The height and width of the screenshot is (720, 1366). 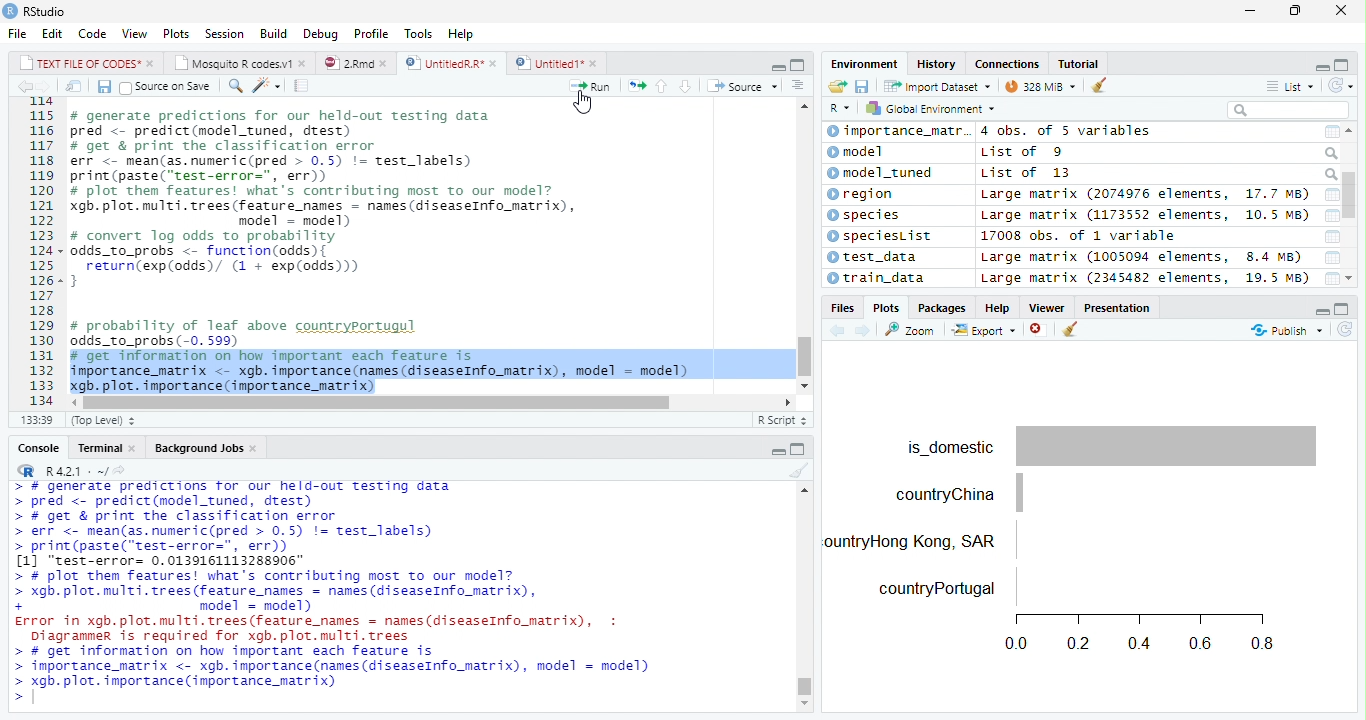 What do you see at coordinates (1081, 63) in the screenshot?
I see `Tutorial` at bounding box center [1081, 63].